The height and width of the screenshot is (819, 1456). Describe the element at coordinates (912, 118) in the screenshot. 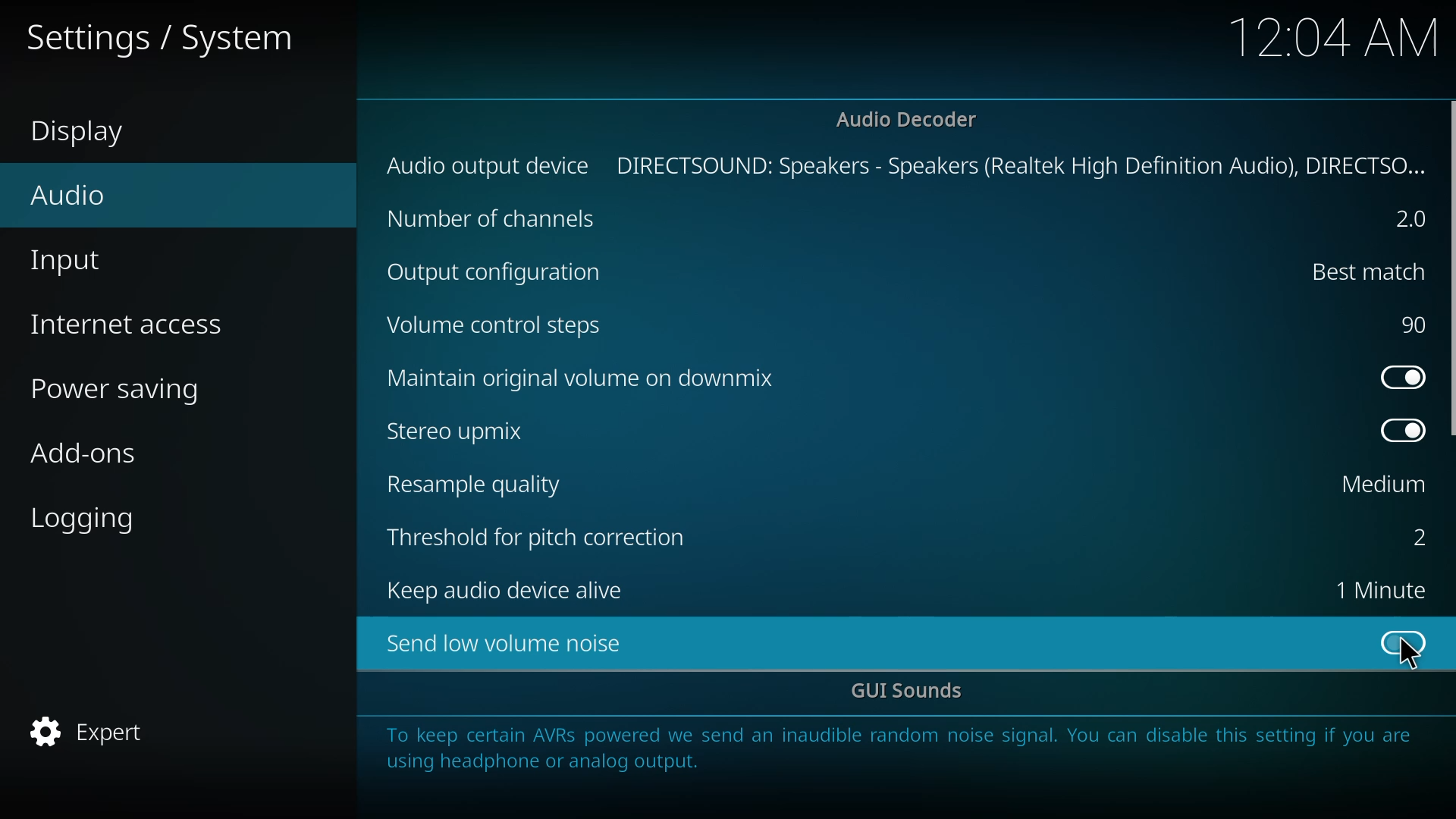

I see `audio decoder` at that location.